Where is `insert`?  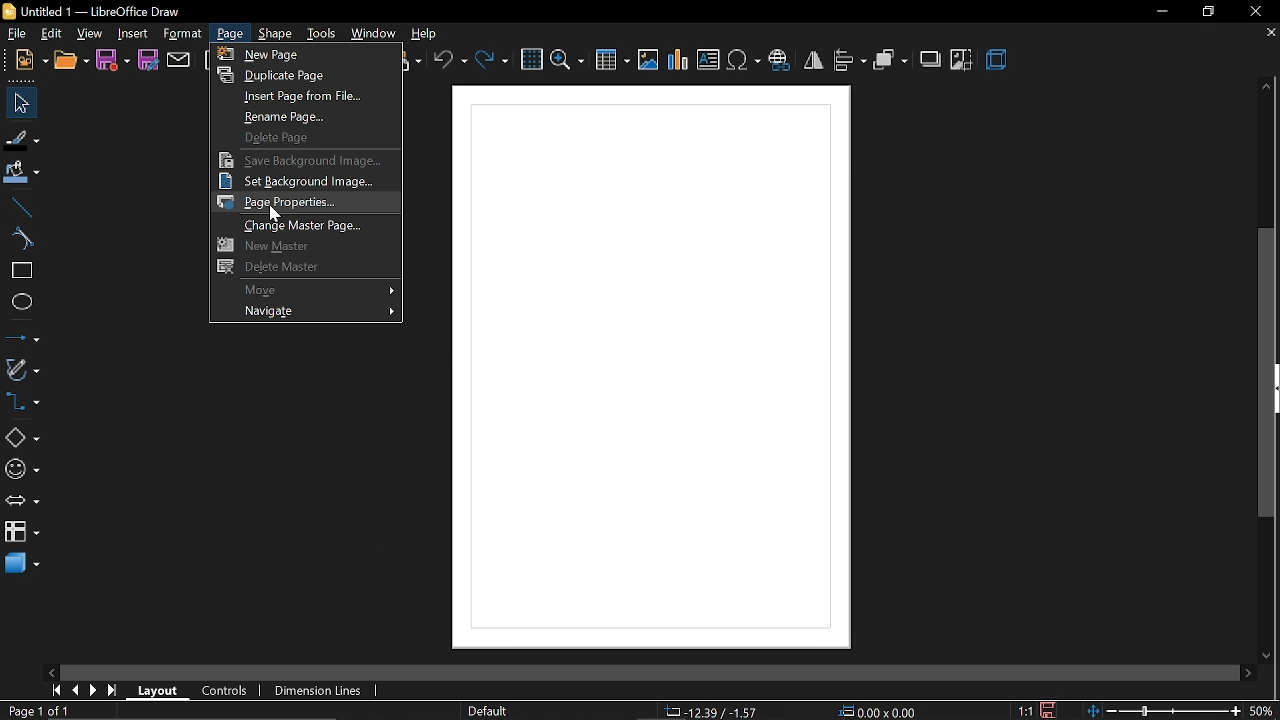
insert is located at coordinates (130, 33).